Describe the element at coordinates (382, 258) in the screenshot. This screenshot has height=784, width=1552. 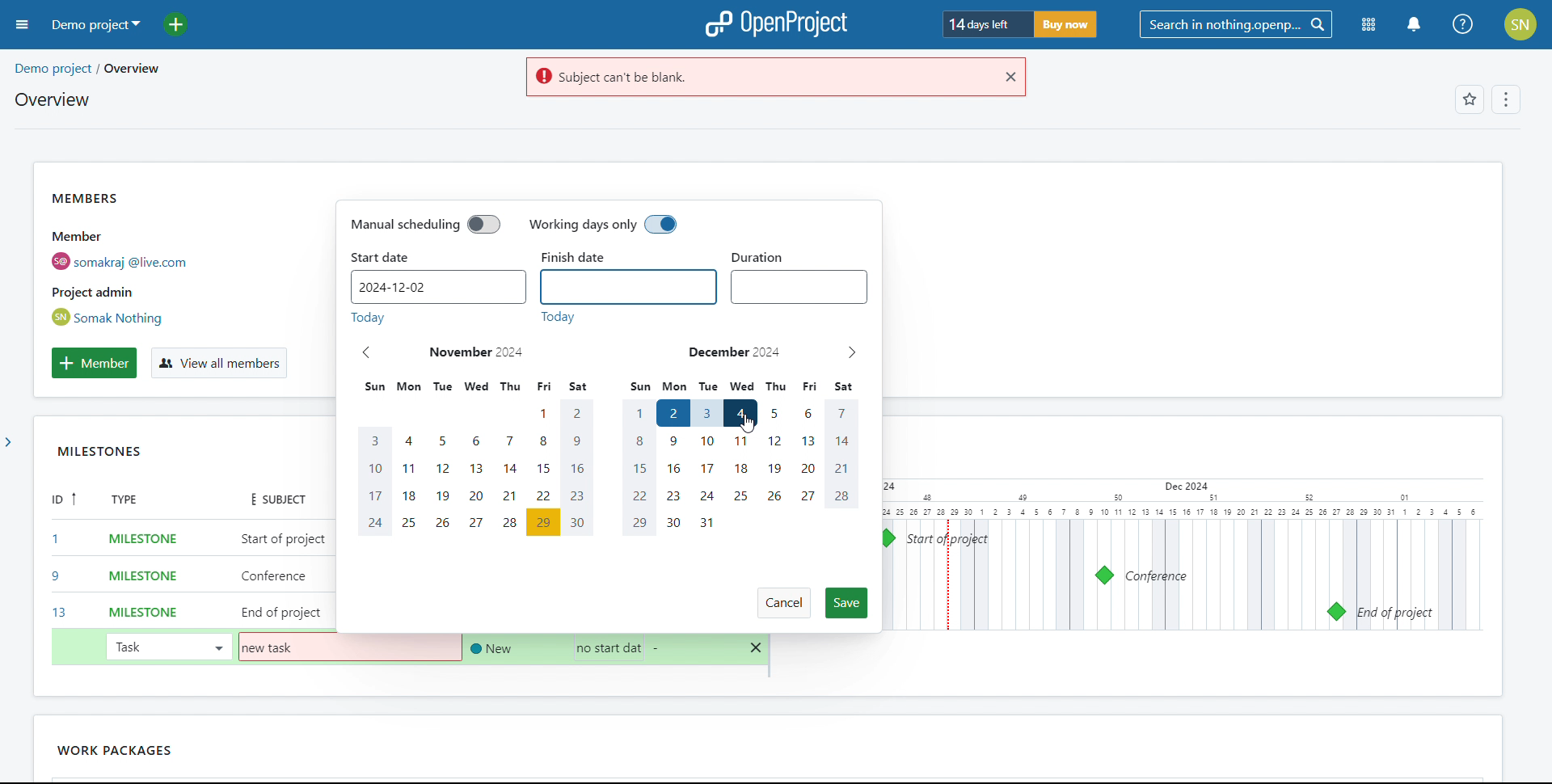
I see `start date` at that location.